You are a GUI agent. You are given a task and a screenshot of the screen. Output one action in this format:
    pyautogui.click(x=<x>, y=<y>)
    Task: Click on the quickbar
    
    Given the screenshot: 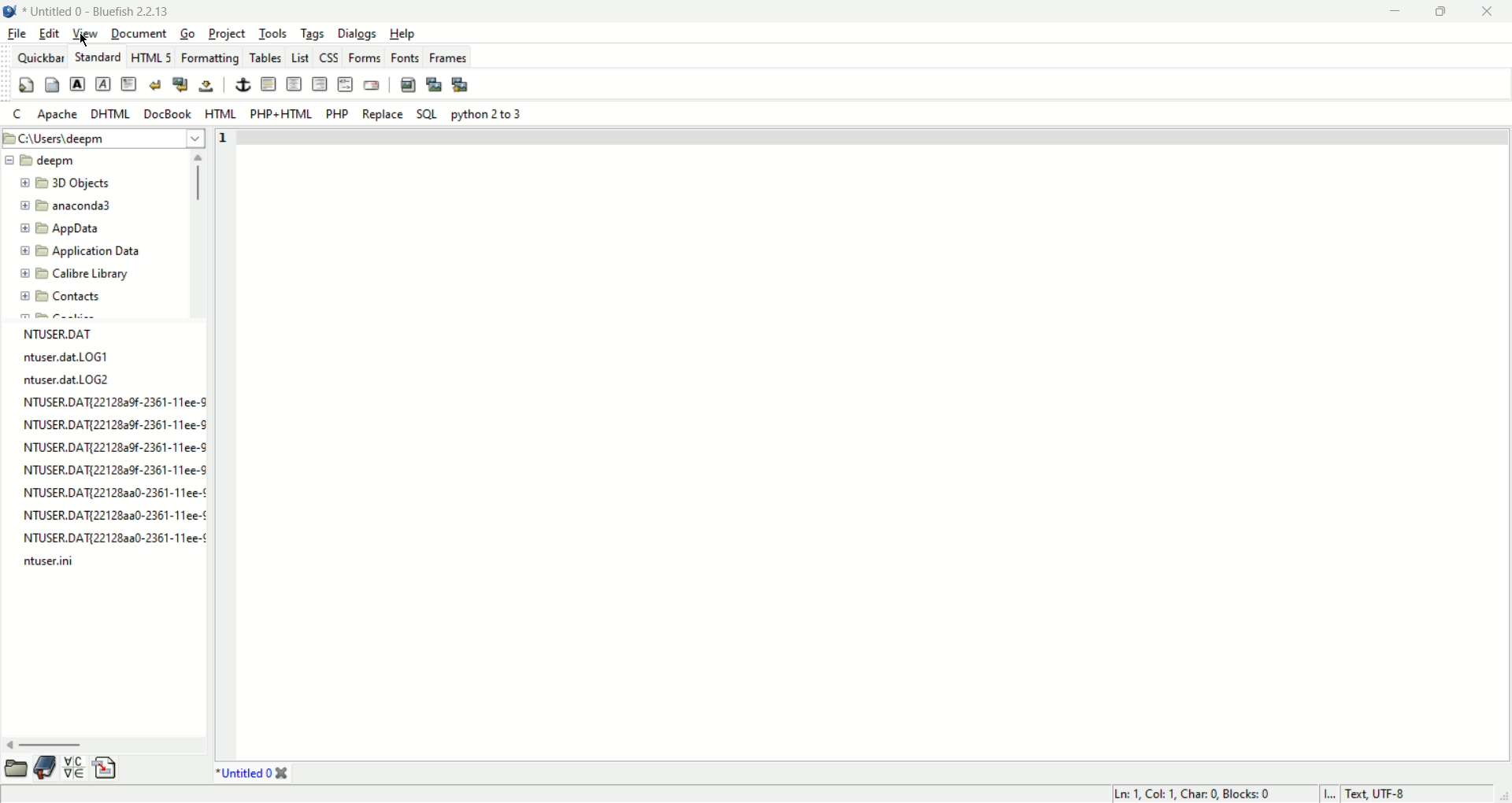 What is the action you would take?
    pyautogui.click(x=40, y=55)
    